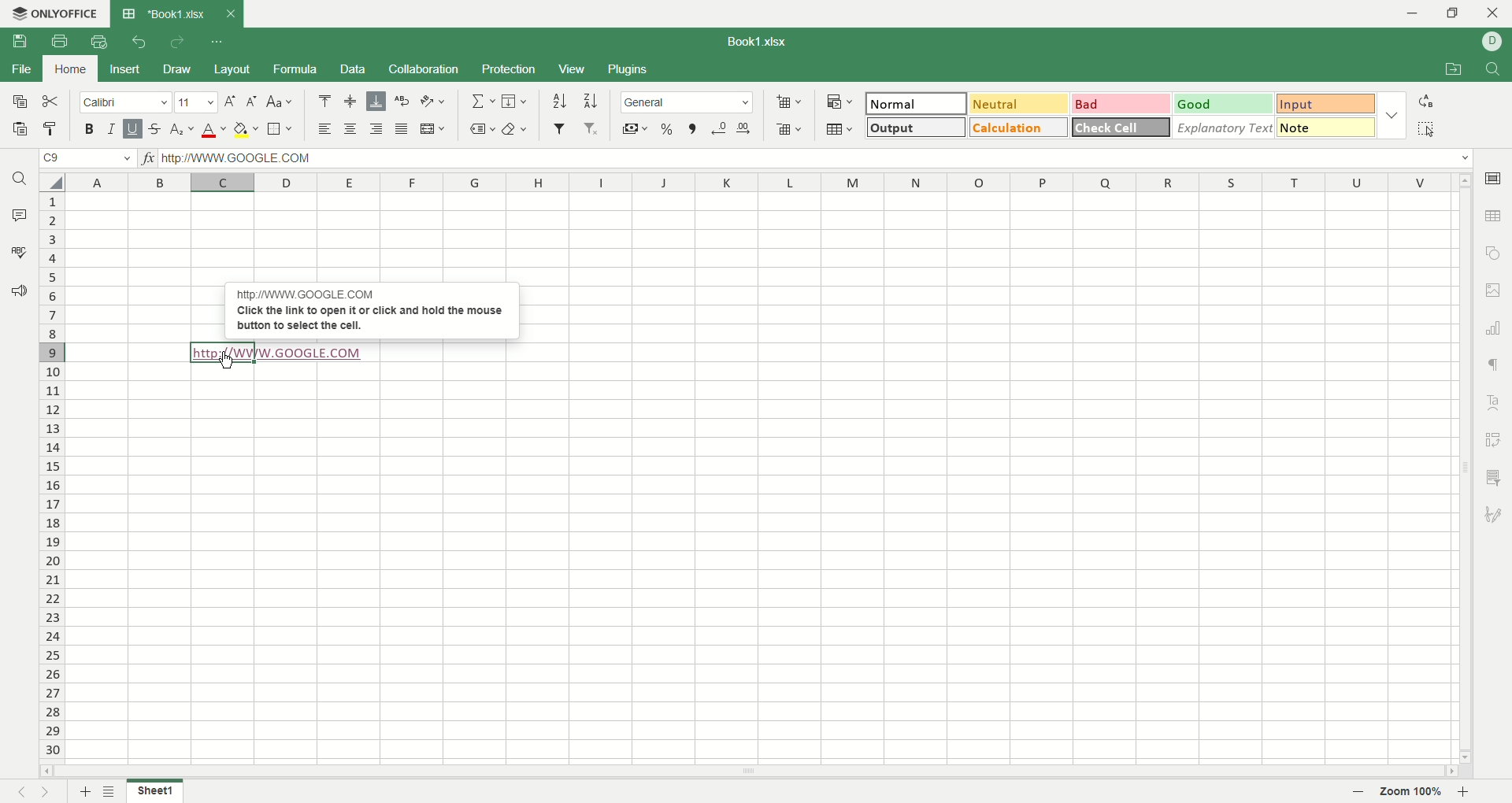 The height and width of the screenshot is (803, 1512). Describe the element at coordinates (914, 128) in the screenshot. I see `output` at that location.